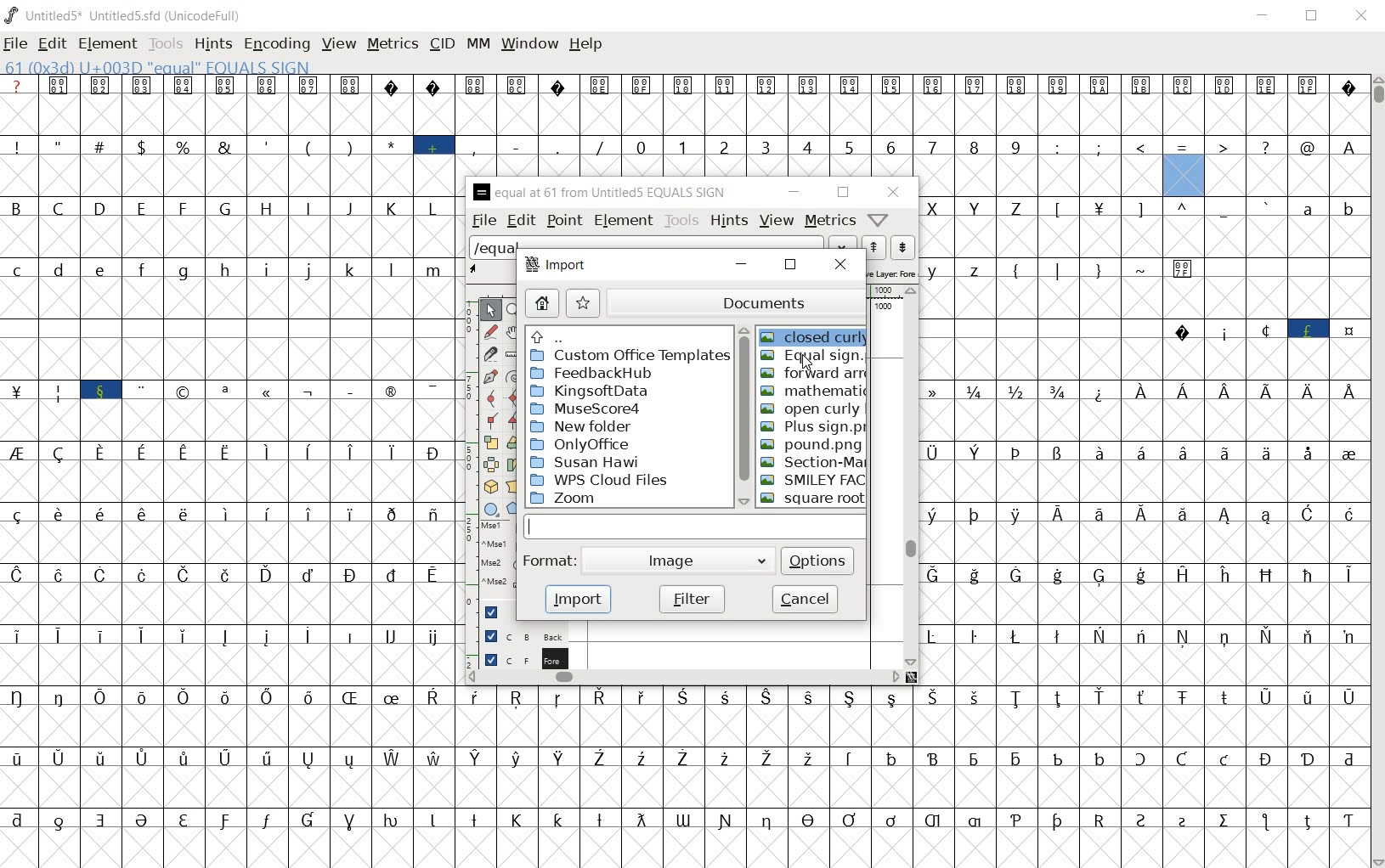 The height and width of the screenshot is (868, 1385). Describe the element at coordinates (577, 600) in the screenshot. I see `import` at that location.